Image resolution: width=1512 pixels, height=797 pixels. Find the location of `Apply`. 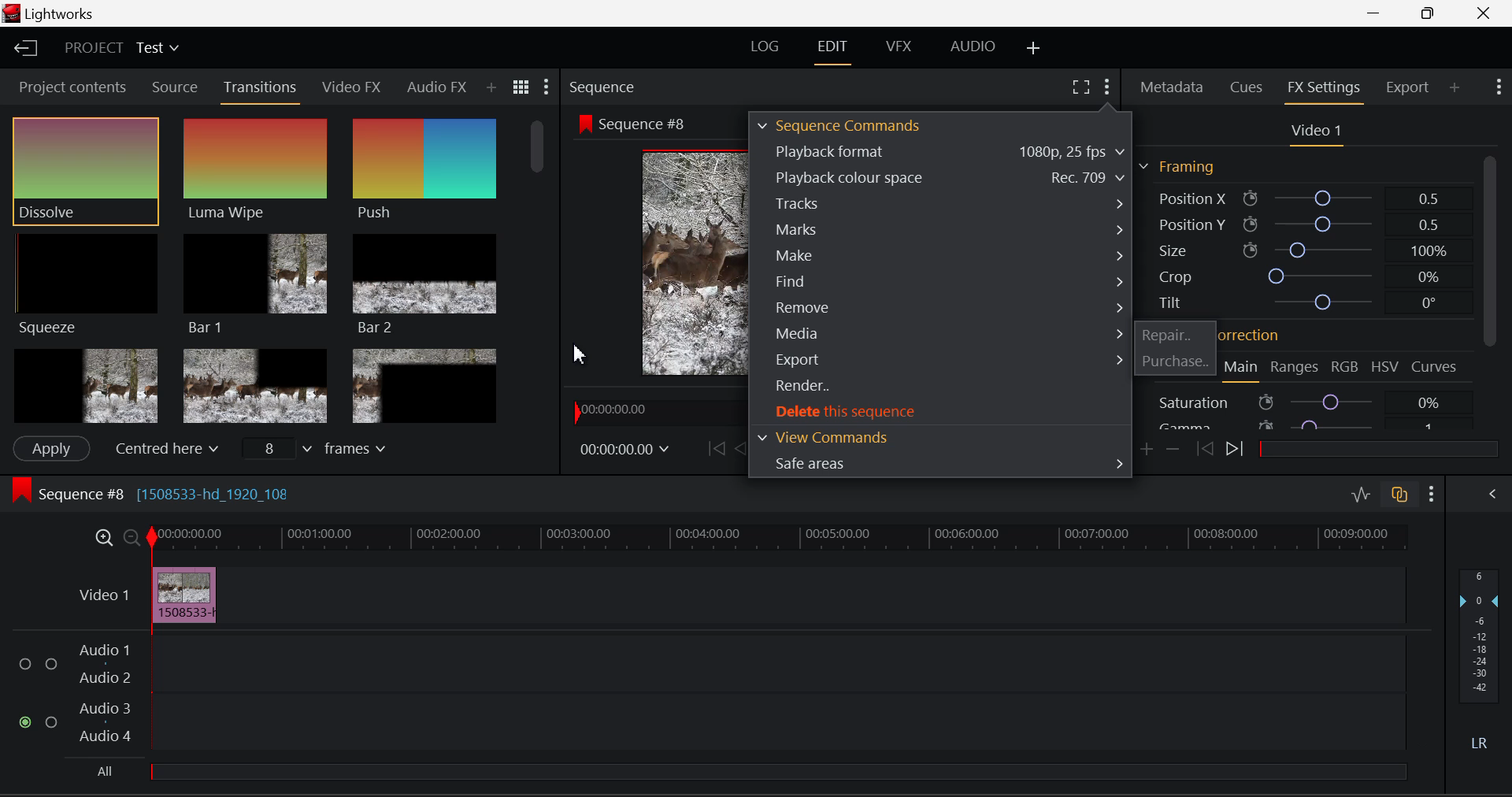

Apply is located at coordinates (51, 447).